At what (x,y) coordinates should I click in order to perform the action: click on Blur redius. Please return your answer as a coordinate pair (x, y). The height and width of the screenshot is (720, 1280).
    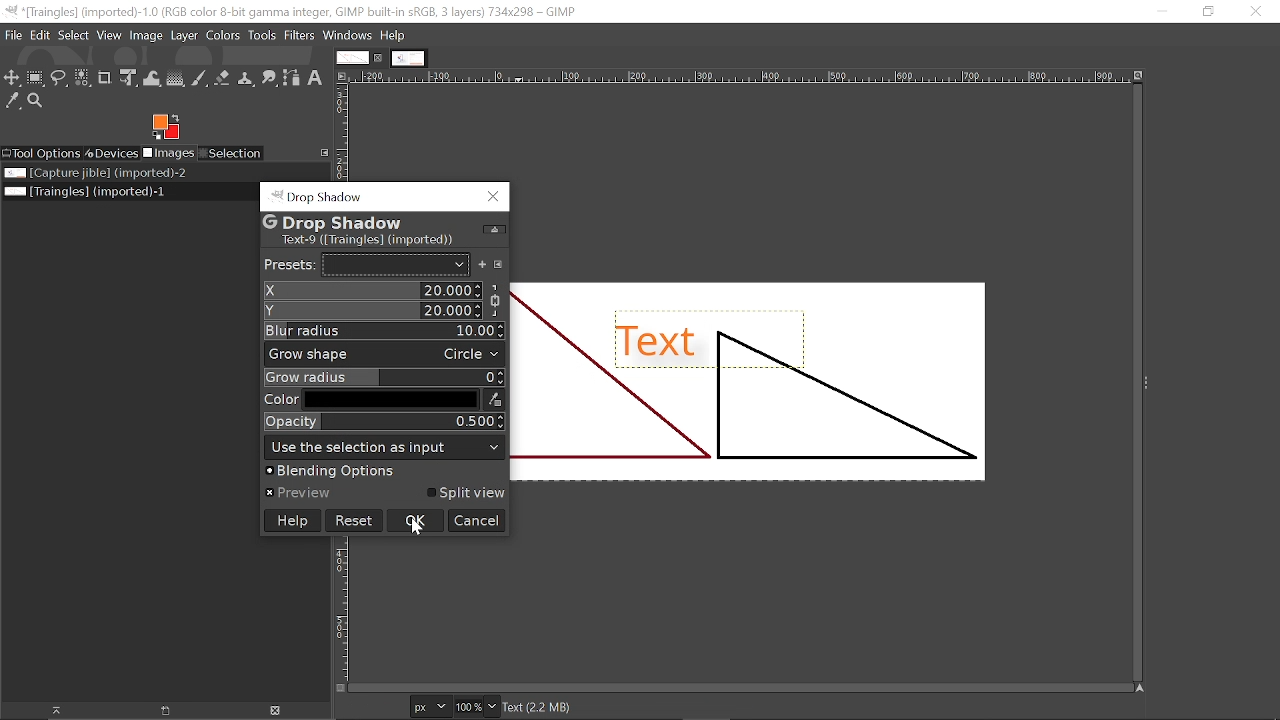
    Looking at the image, I should click on (382, 331).